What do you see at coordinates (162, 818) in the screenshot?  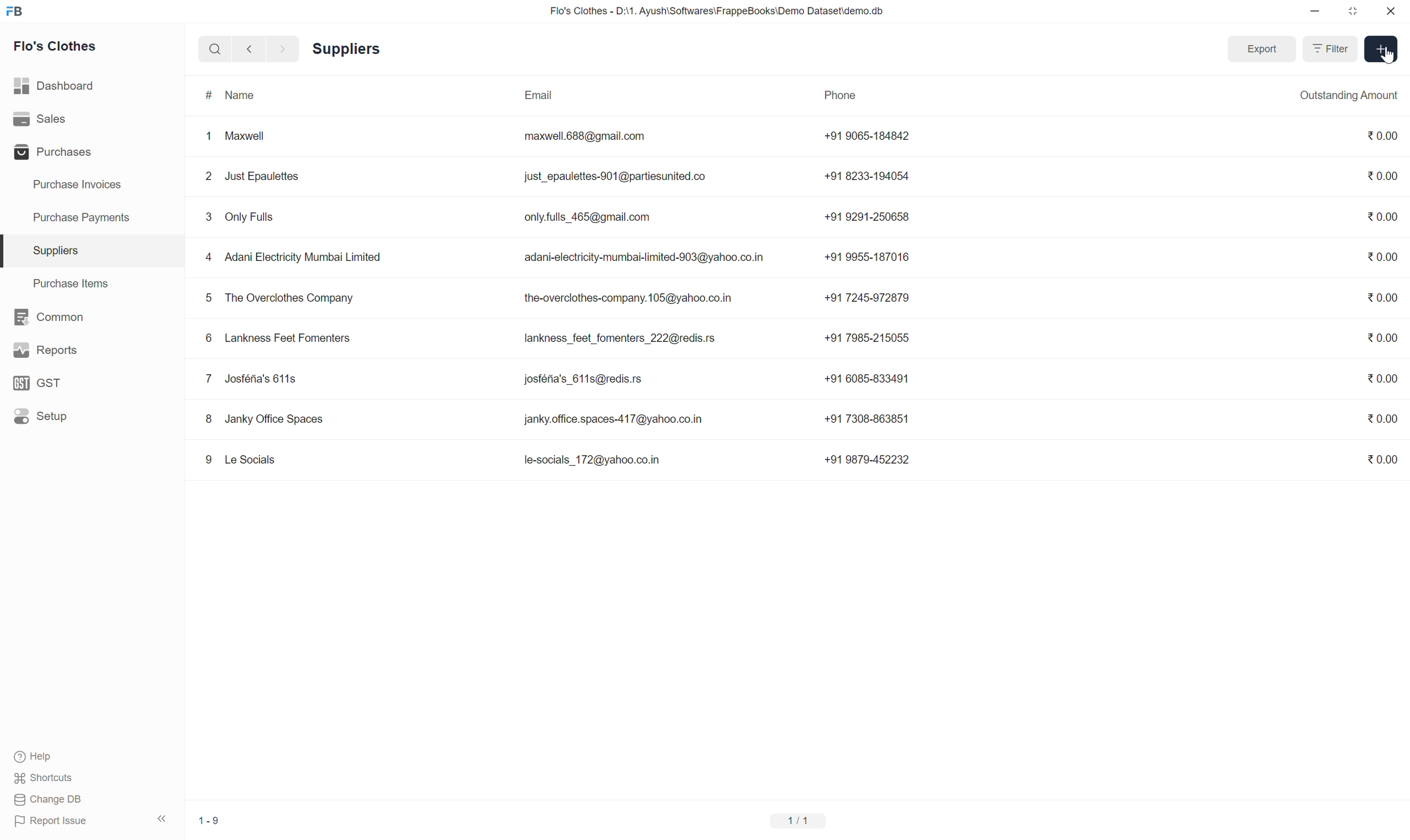 I see `Collapse sidebar` at bounding box center [162, 818].